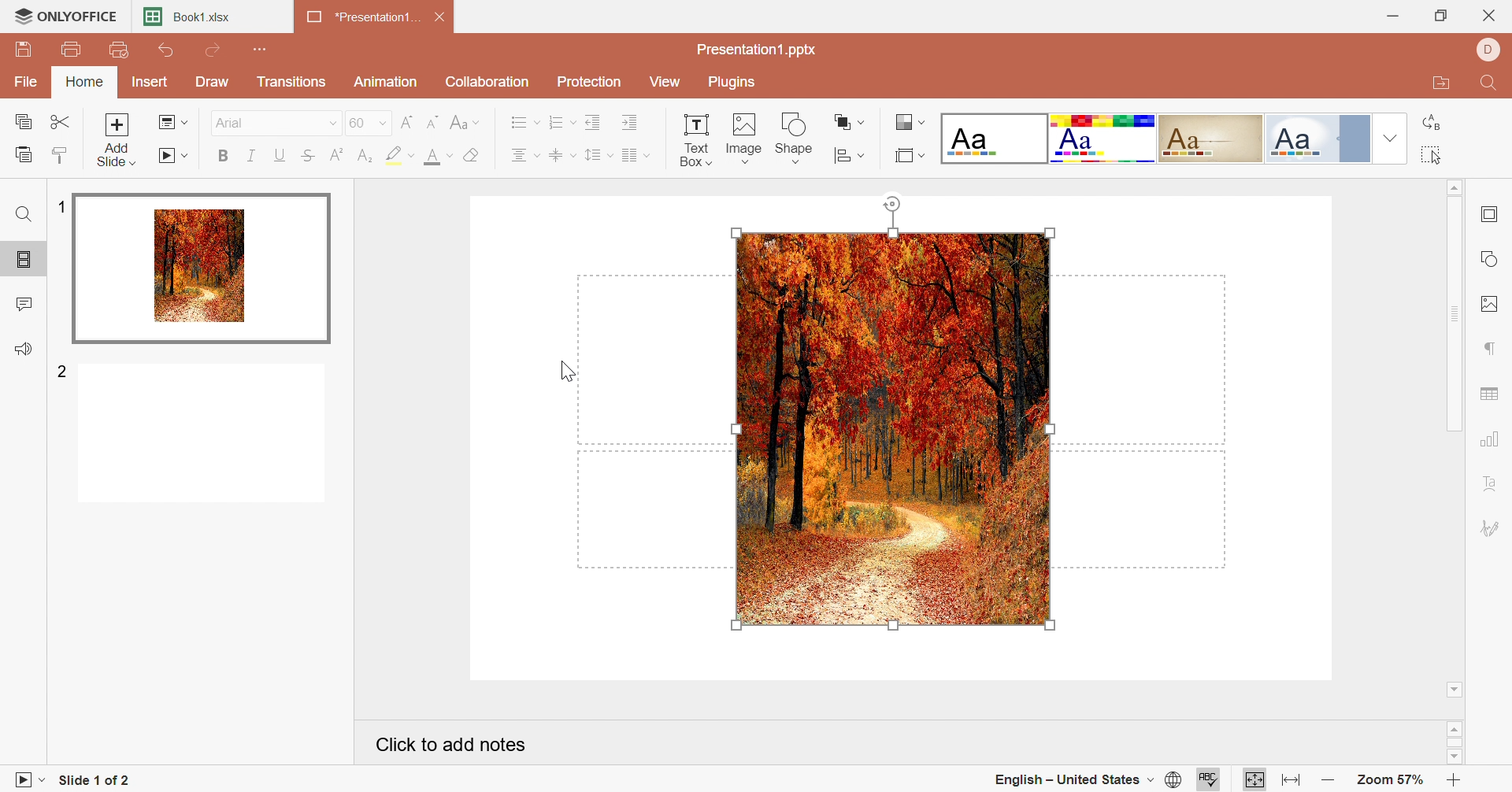 This screenshot has width=1512, height=792. I want to click on cursor, so click(846, 395).